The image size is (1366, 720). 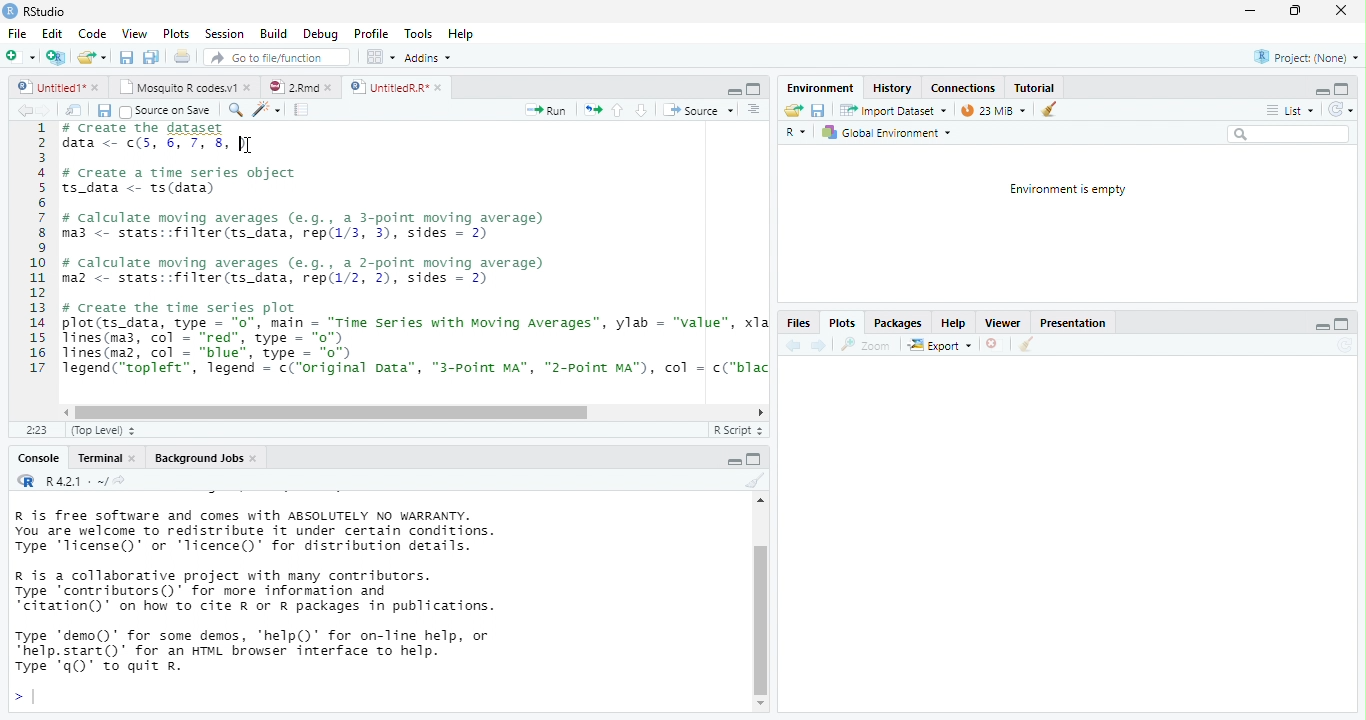 What do you see at coordinates (247, 140) in the screenshot?
I see `text cursror` at bounding box center [247, 140].